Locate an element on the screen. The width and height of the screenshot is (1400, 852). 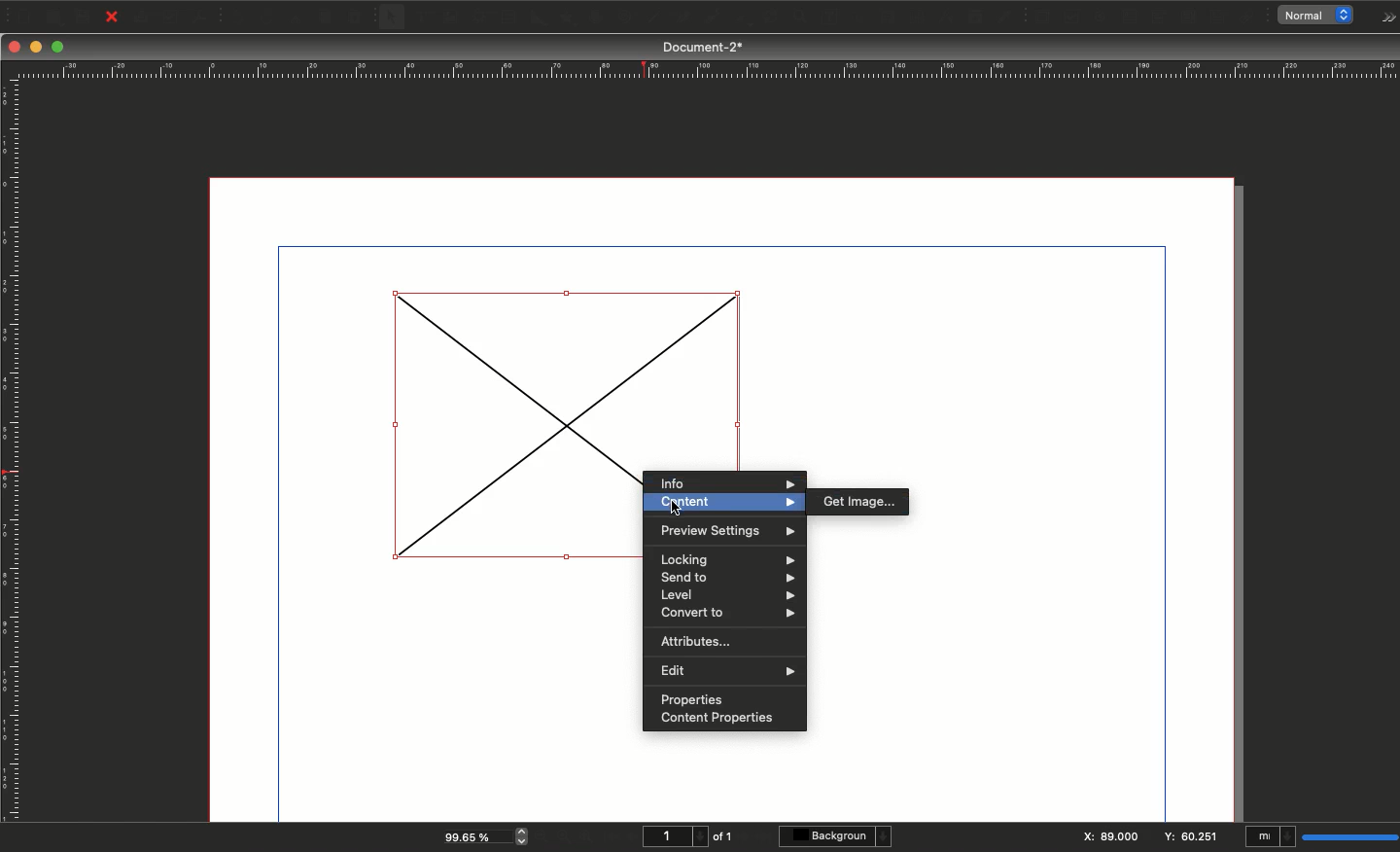
Table is located at coordinates (507, 18).